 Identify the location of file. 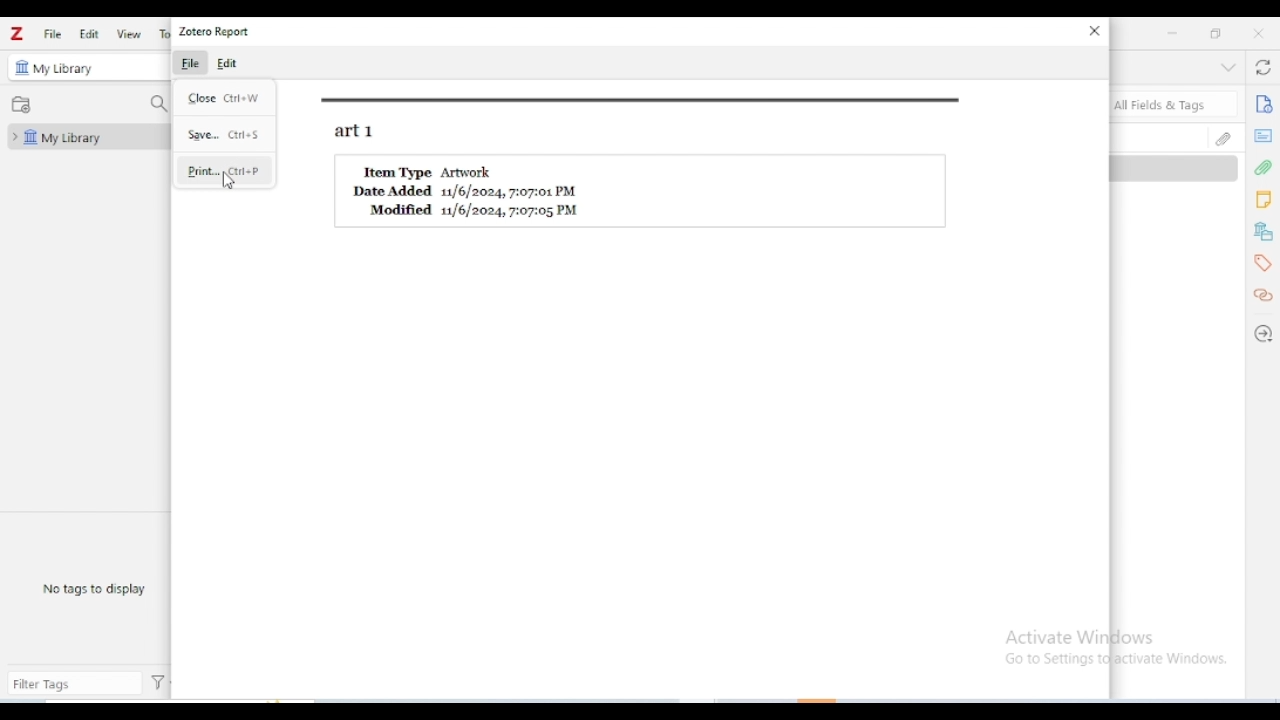
(190, 62).